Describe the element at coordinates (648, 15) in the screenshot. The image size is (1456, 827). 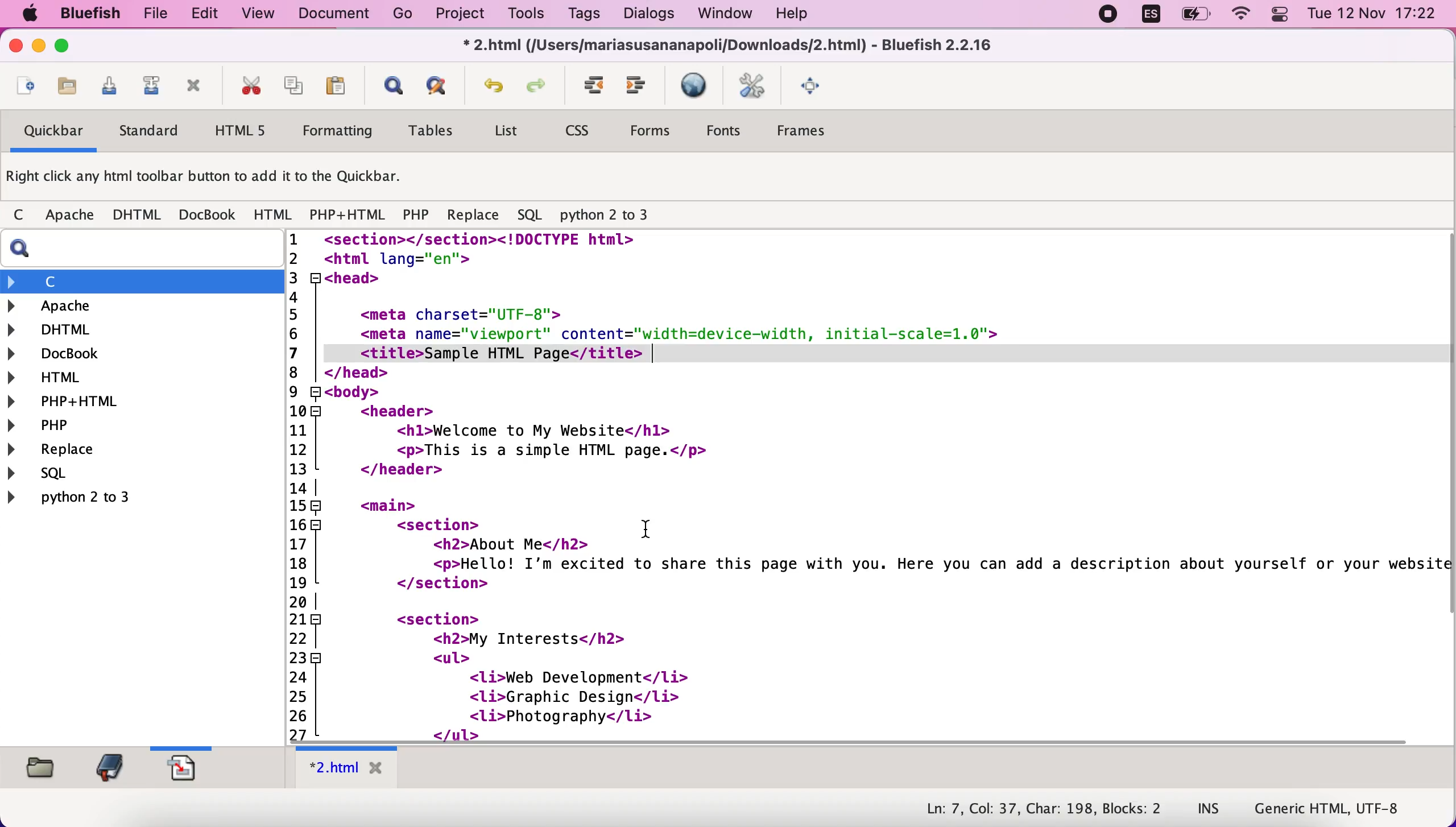
I see `dialogs` at that location.